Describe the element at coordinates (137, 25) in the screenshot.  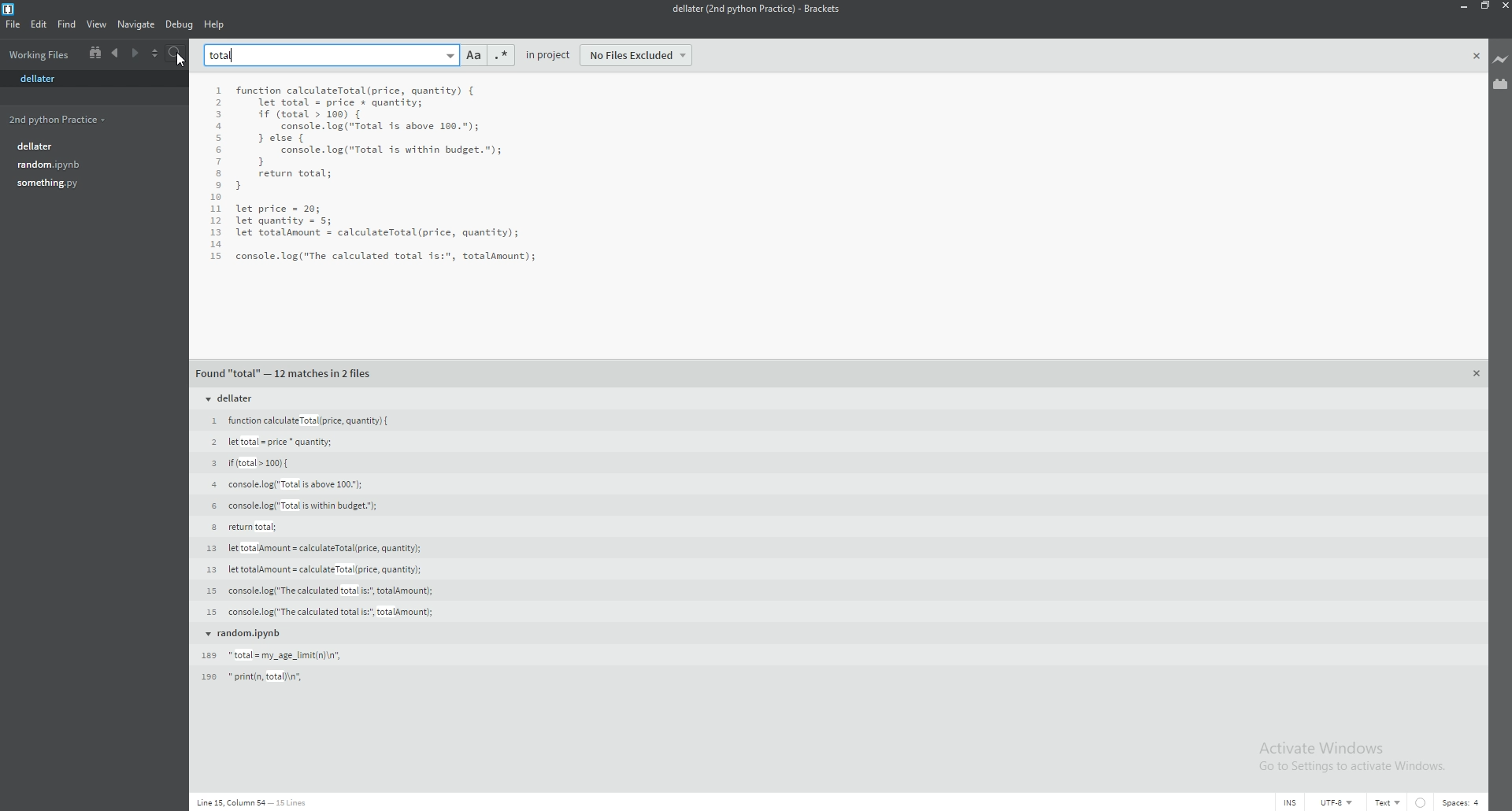
I see `navigate` at that location.